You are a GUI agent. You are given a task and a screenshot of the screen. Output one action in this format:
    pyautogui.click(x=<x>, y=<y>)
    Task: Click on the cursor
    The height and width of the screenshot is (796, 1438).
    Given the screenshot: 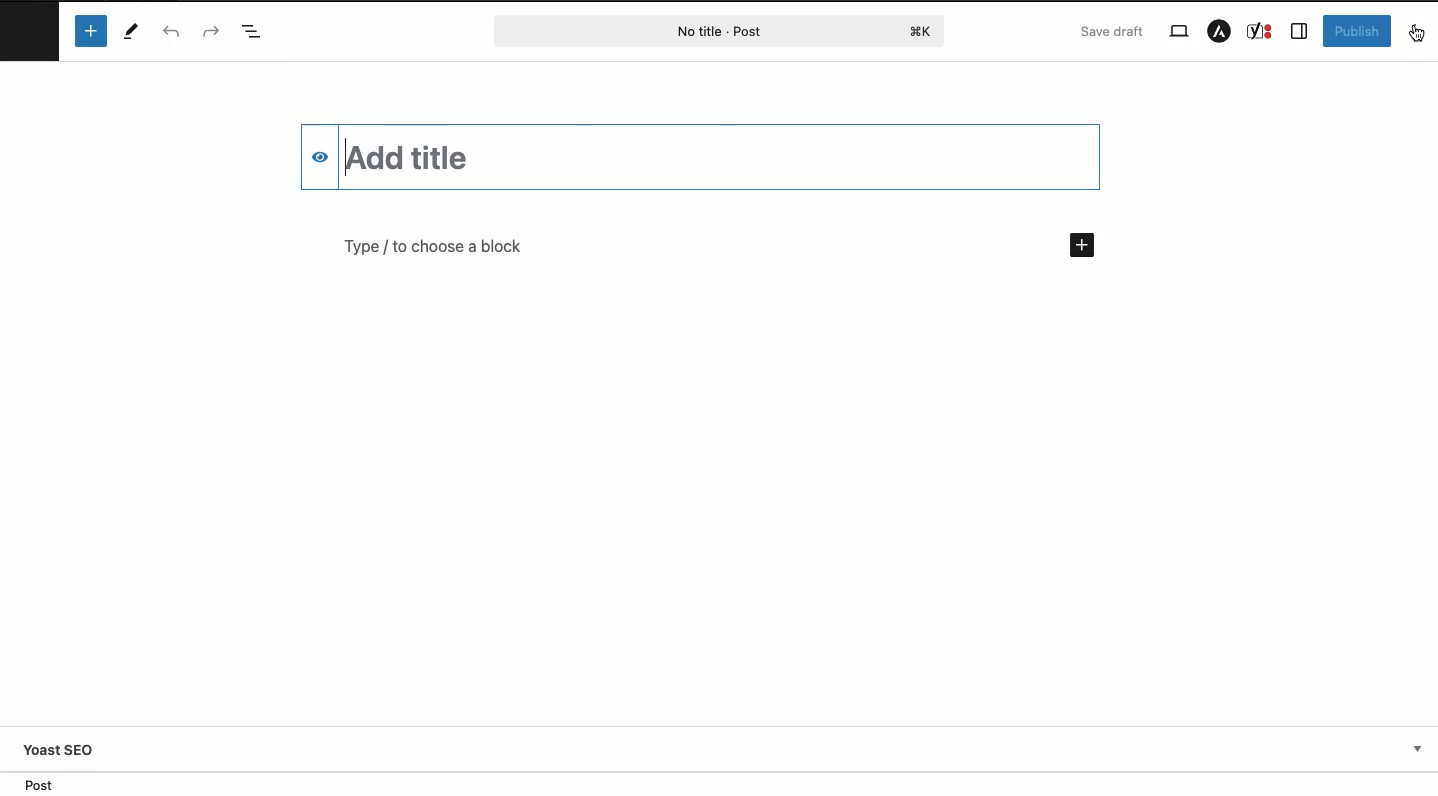 What is the action you would take?
    pyautogui.click(x=1420, y=42)
    